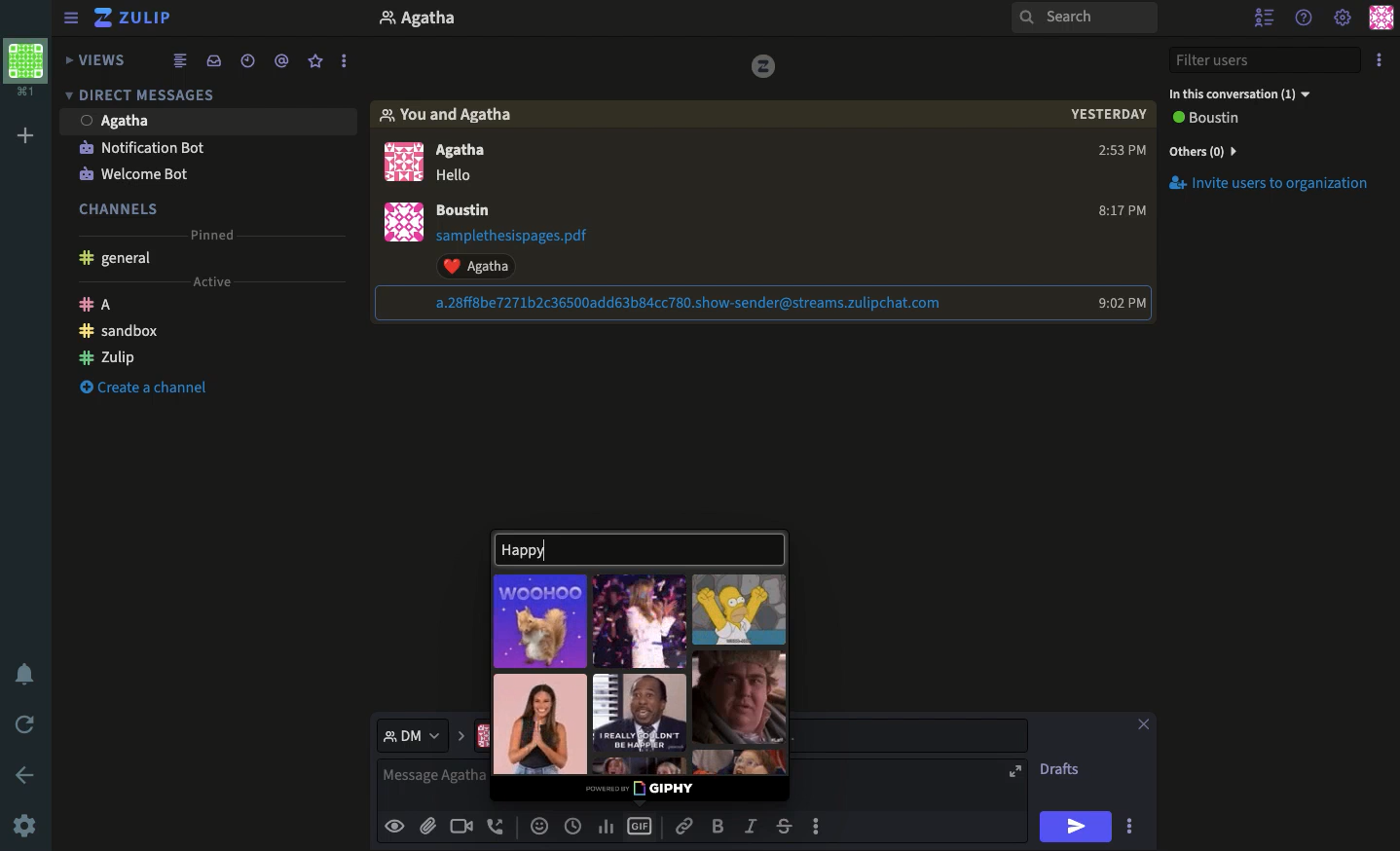  I want to click on Add, so click(25, 137).